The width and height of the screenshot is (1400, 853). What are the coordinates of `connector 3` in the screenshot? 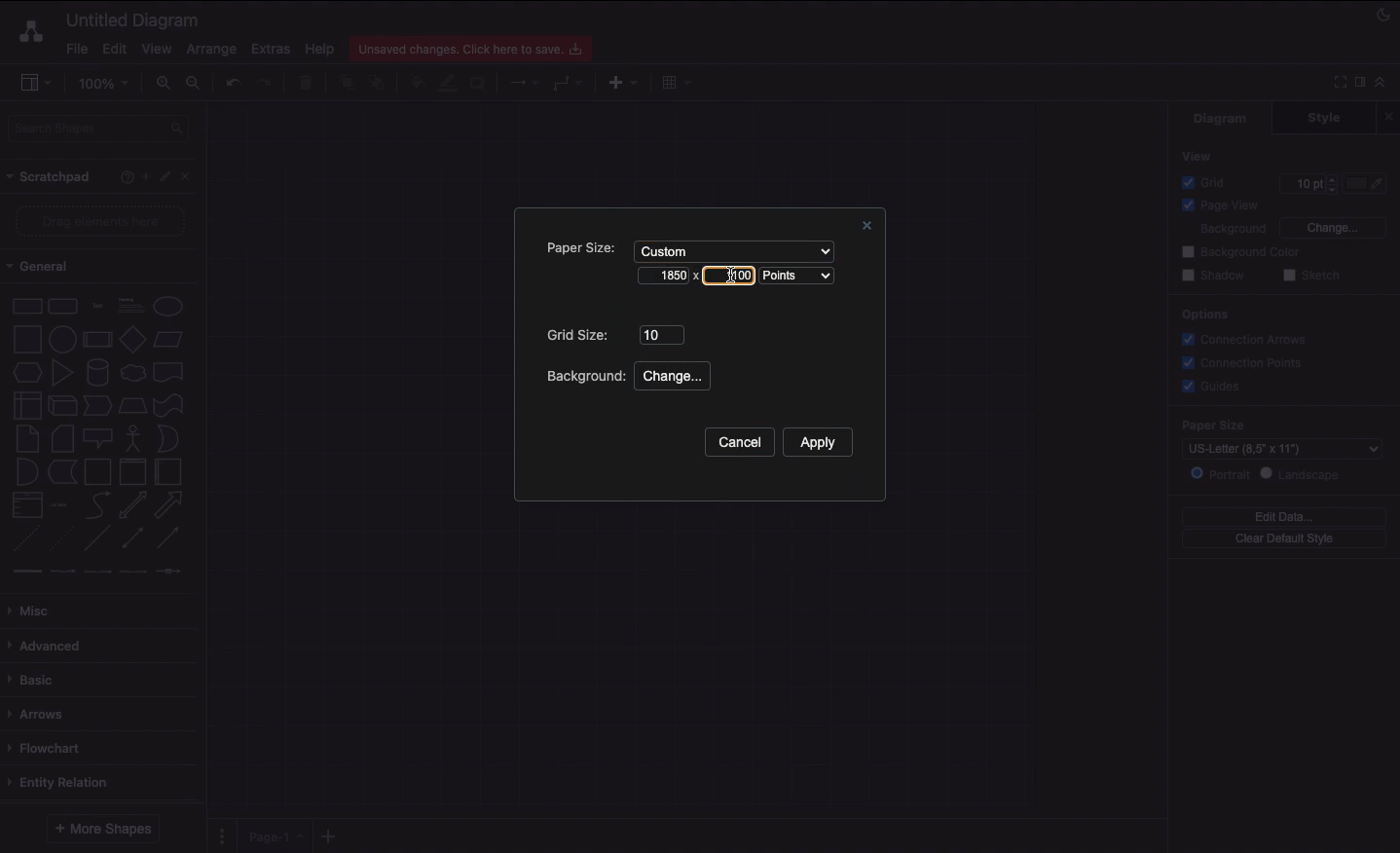 It's located at (95, 571).